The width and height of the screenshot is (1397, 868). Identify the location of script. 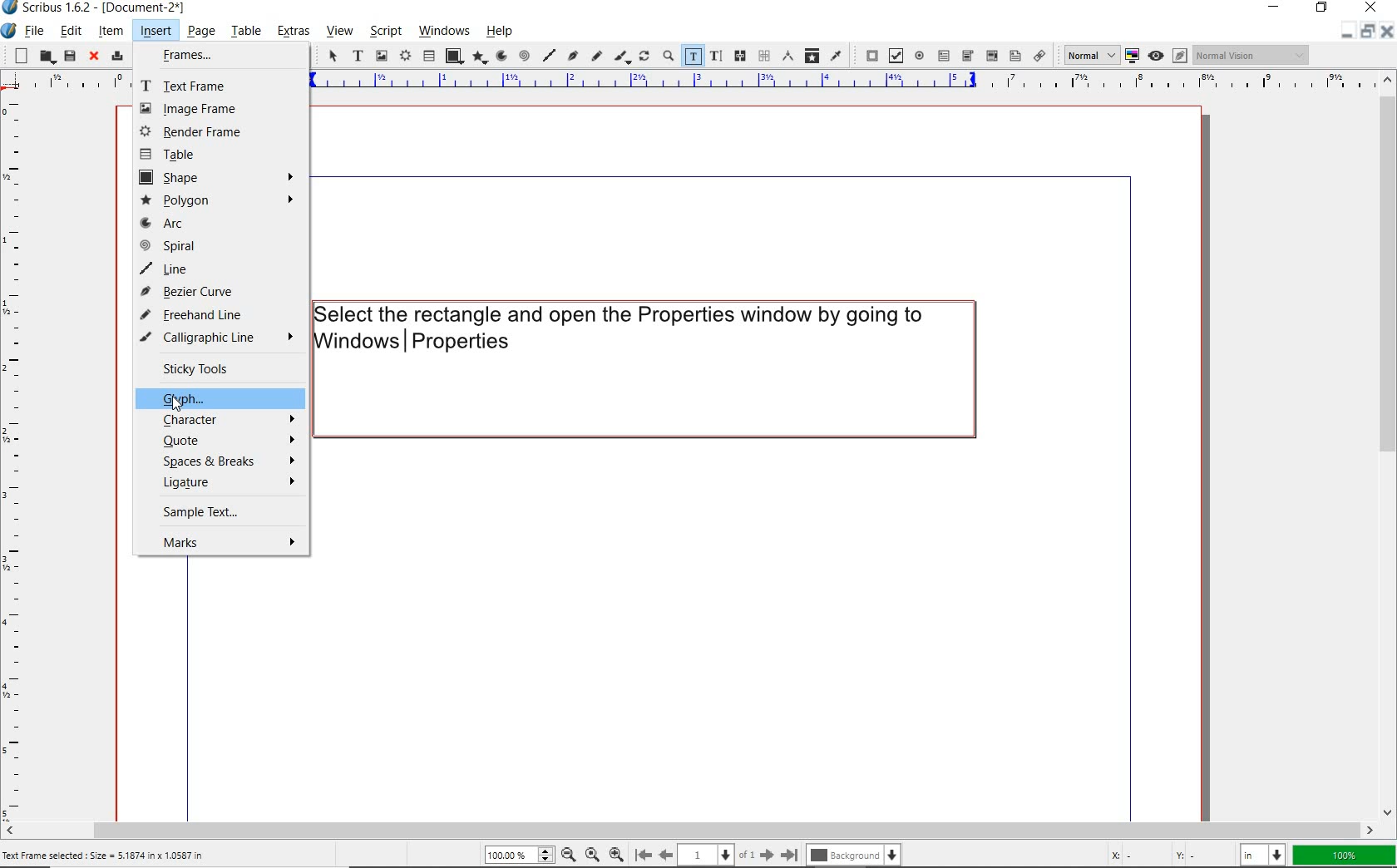
(383, 32).